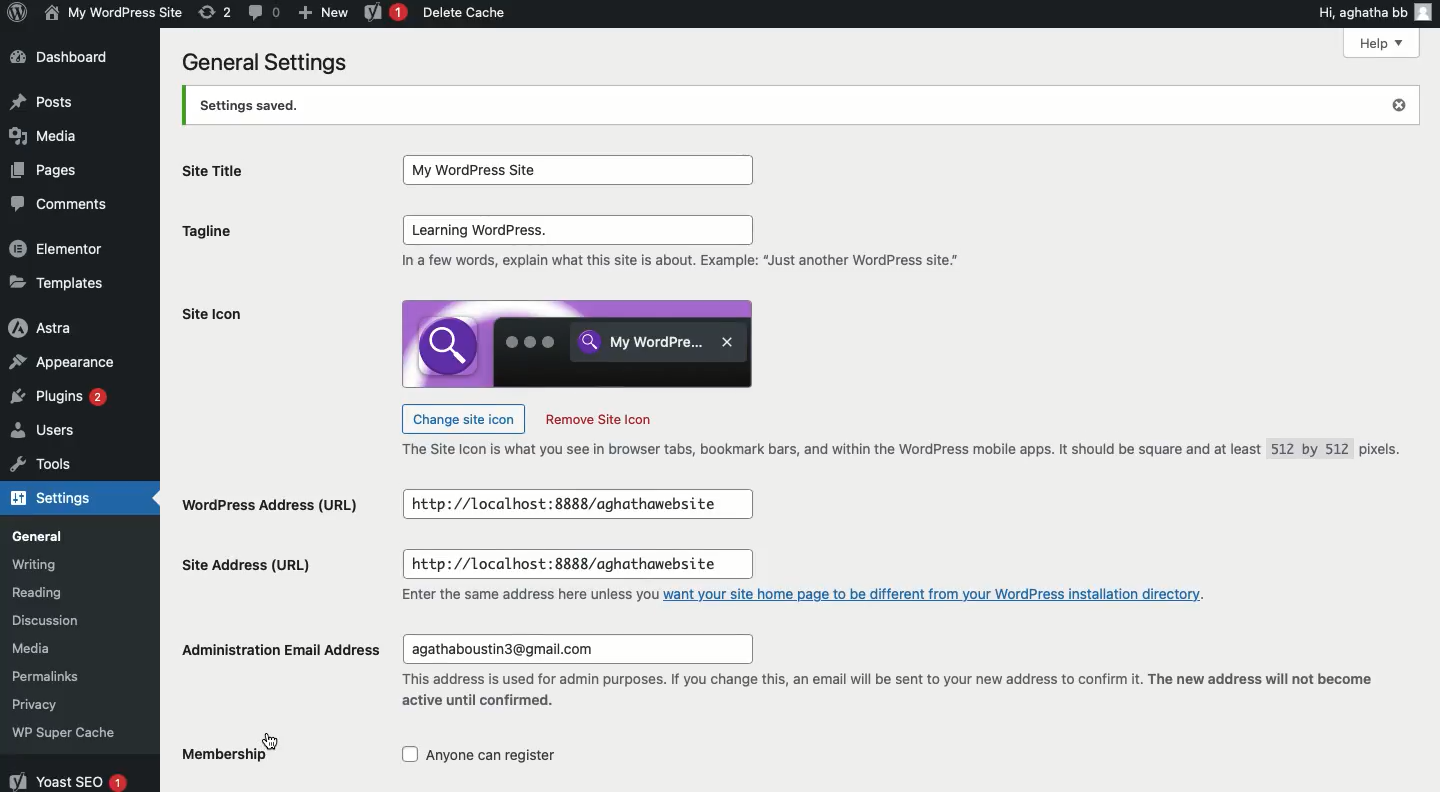 This screenshot has width=1440, height=792. Describe the element at coordinates (690, 266) in the screenshot. I see `In a few words, explain what this site is about. Example: “Just another WordPress site.”` at that location.